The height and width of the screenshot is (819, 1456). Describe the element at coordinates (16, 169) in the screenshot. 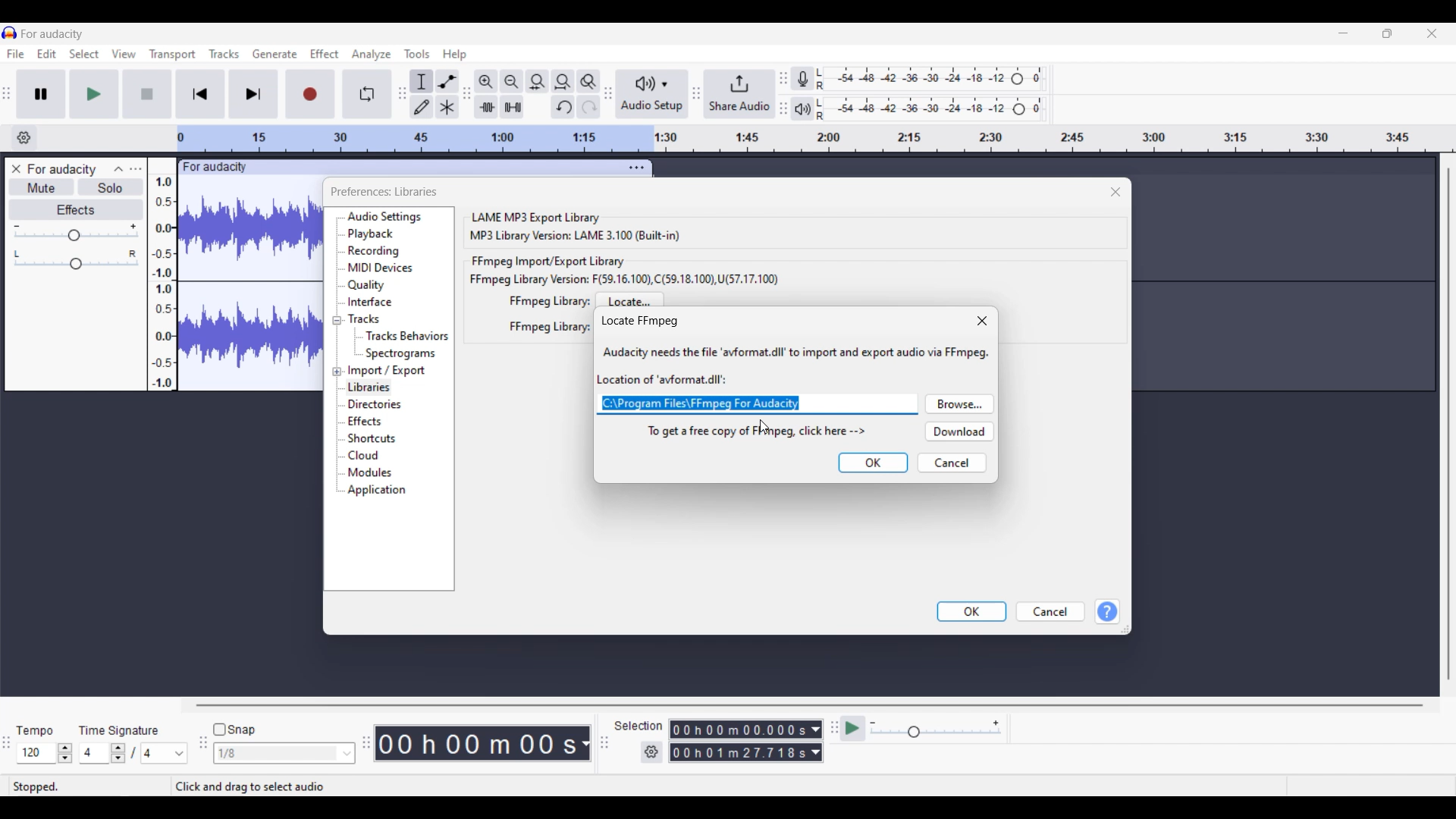

I see `Close track` at that location.